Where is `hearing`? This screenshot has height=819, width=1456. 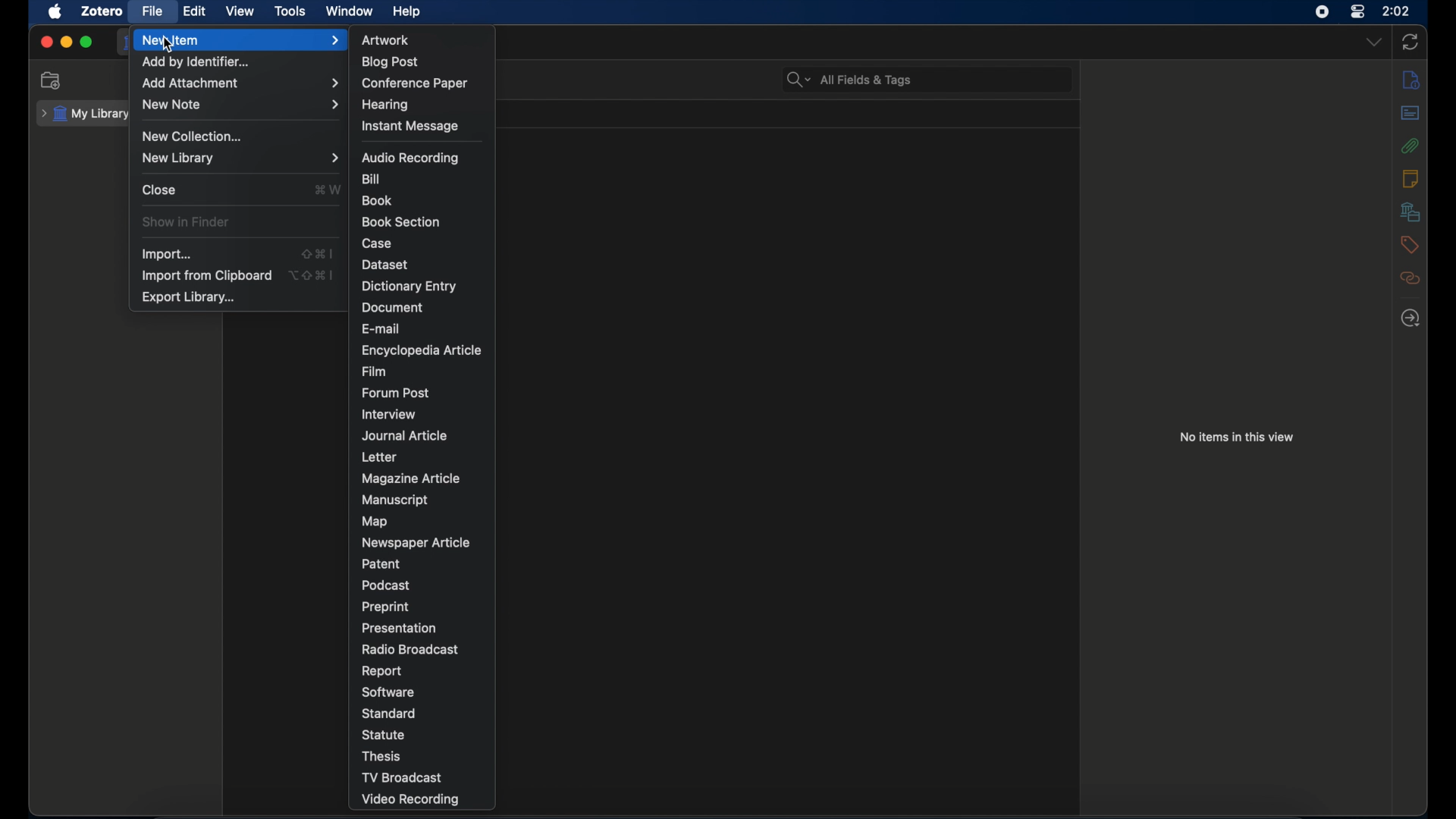
hearing is located at coordinates (384, 105).